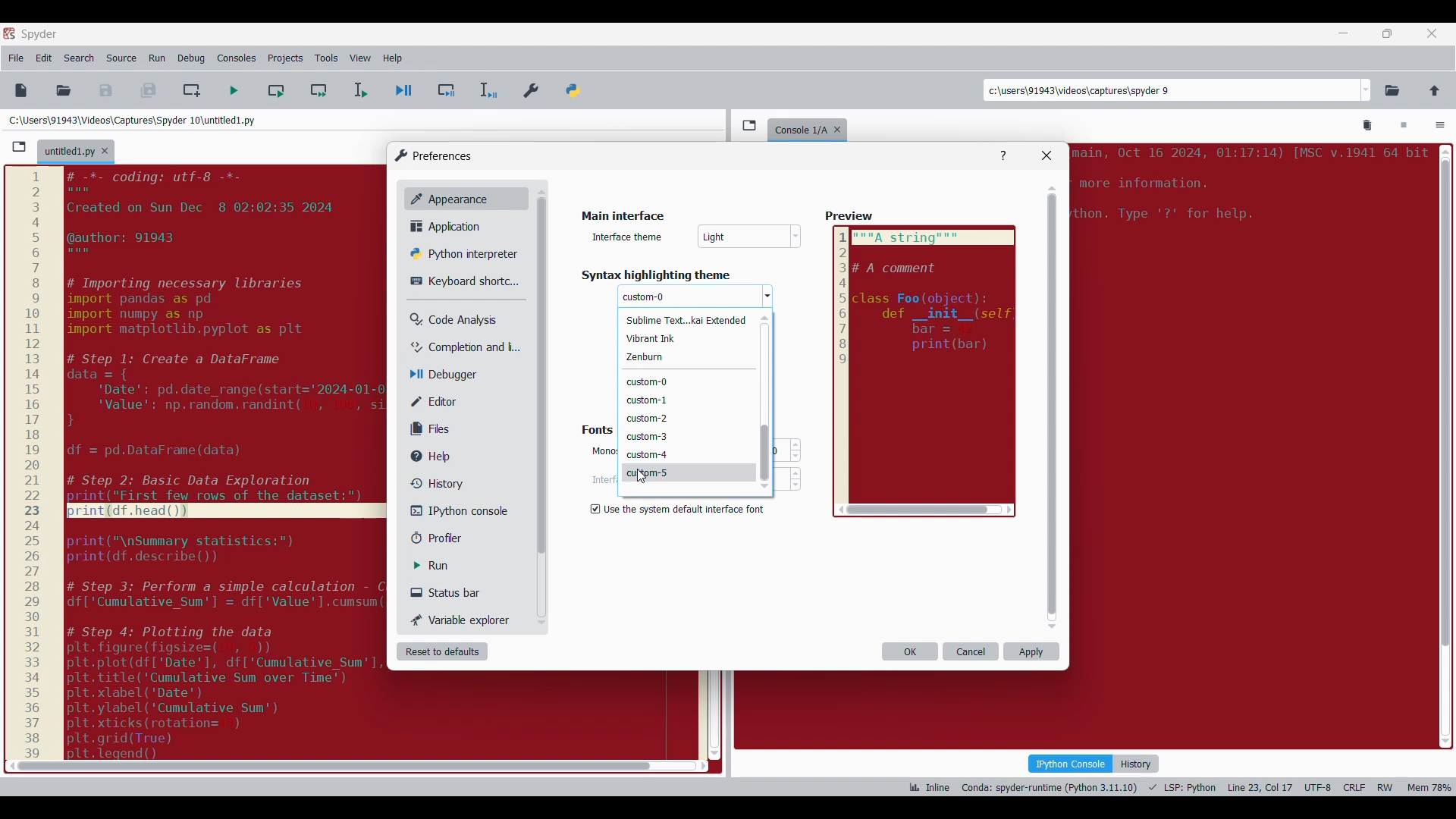 The height and width of the screenshot is (819, 1456). What do you see at coordinates (1031, 651) in the screenshot?
I see `Apply` at bounding box center [1031, 651].